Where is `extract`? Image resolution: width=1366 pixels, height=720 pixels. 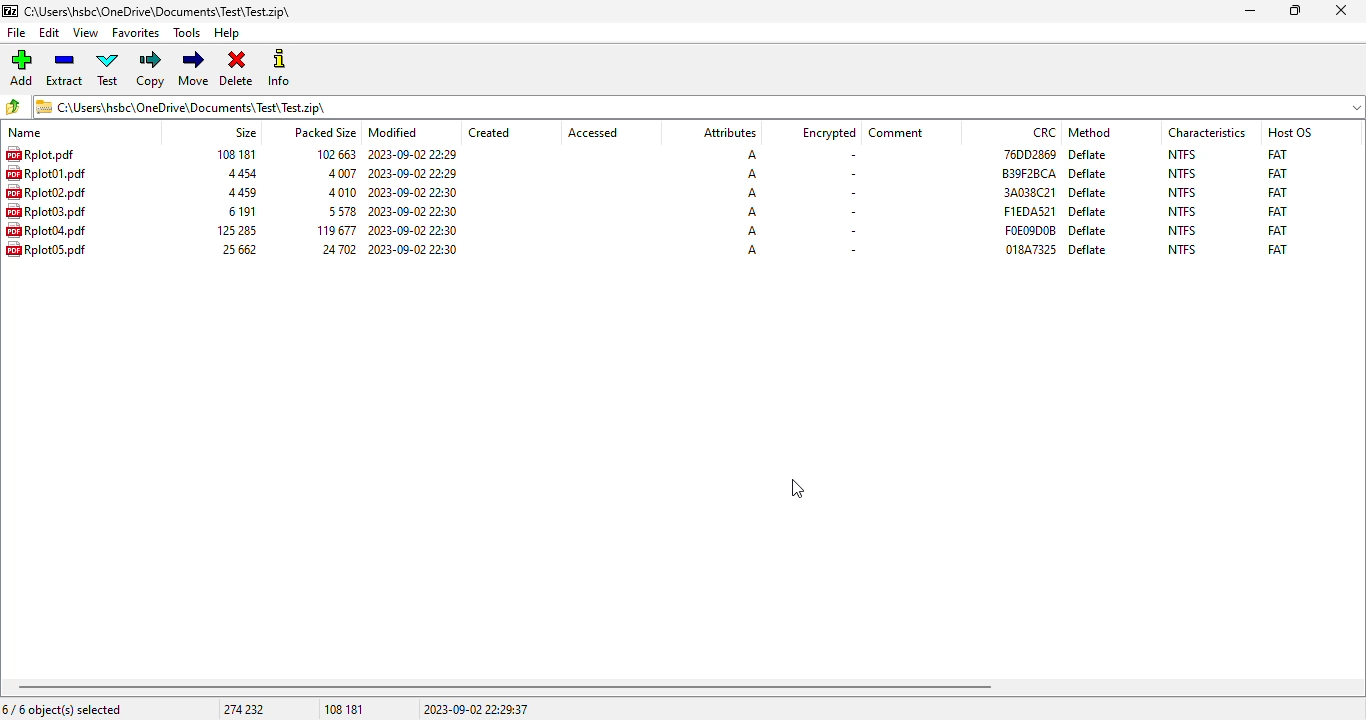
extract is located at coordinates (65, 69).